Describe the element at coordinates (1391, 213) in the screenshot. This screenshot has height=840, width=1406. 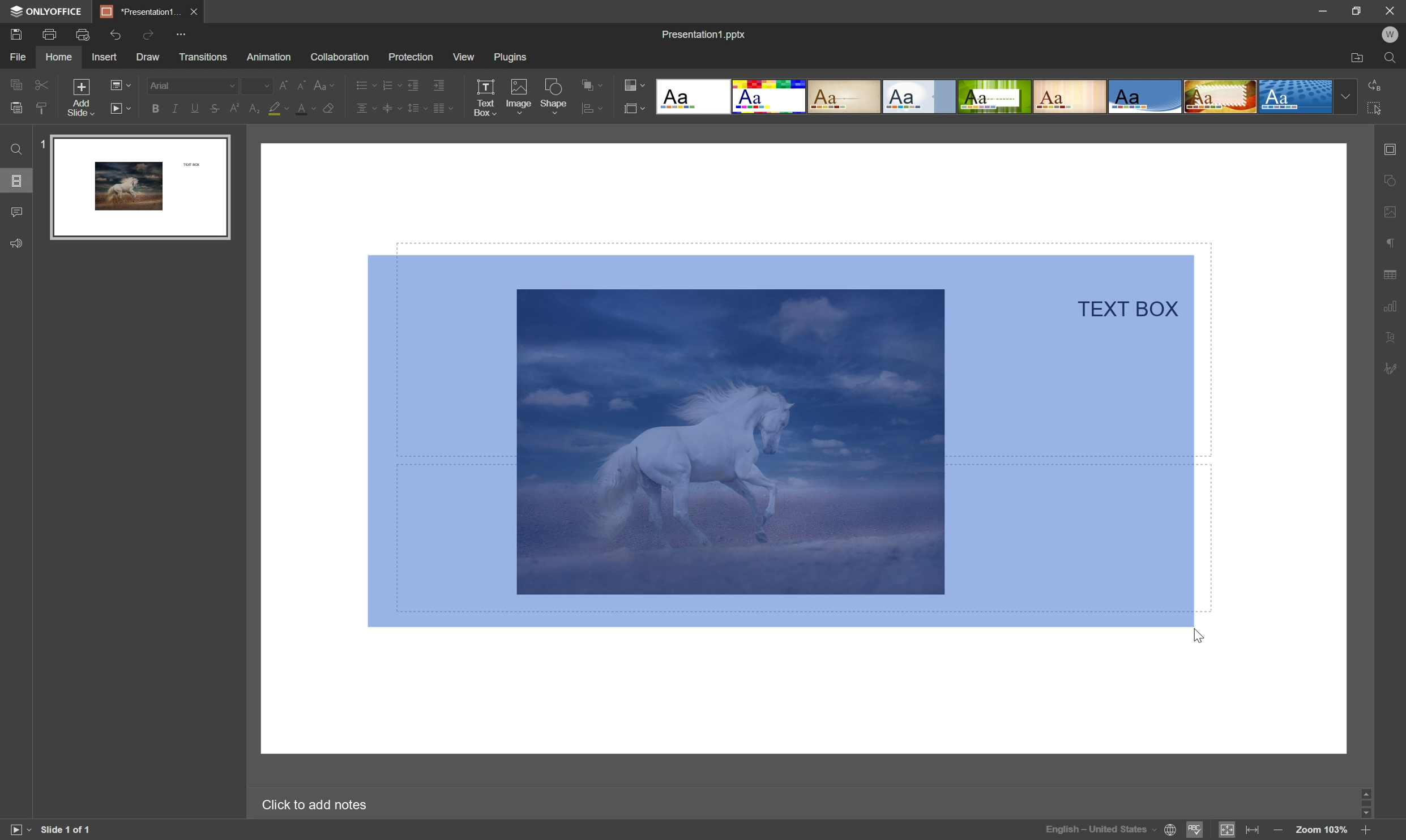
I see `image settings` at that location.